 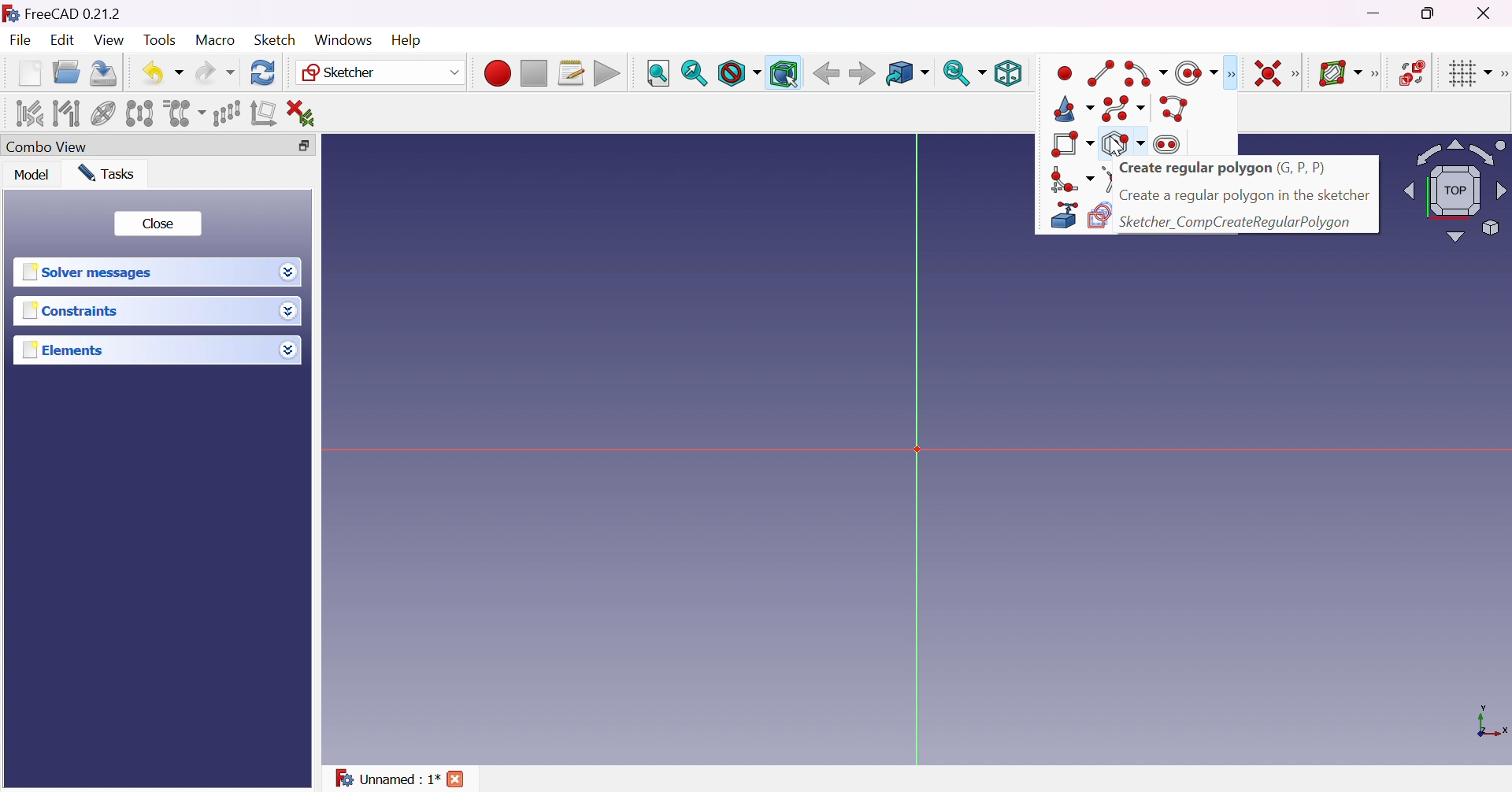 I want to click on [Sketcher edit model], so click(x=1167, y=75).